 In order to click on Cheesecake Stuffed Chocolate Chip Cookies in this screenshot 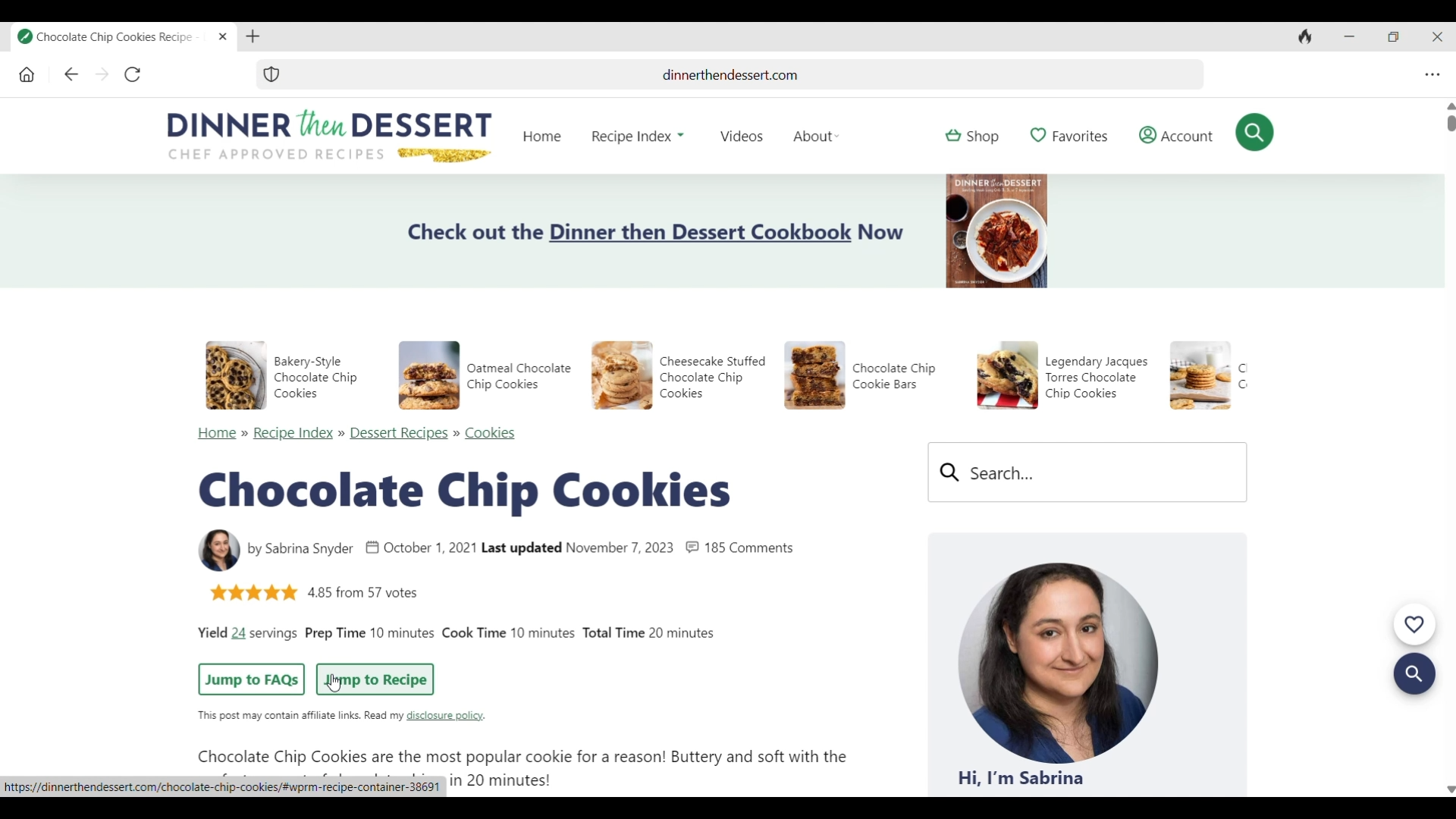, I will do `click(712, 377)`.